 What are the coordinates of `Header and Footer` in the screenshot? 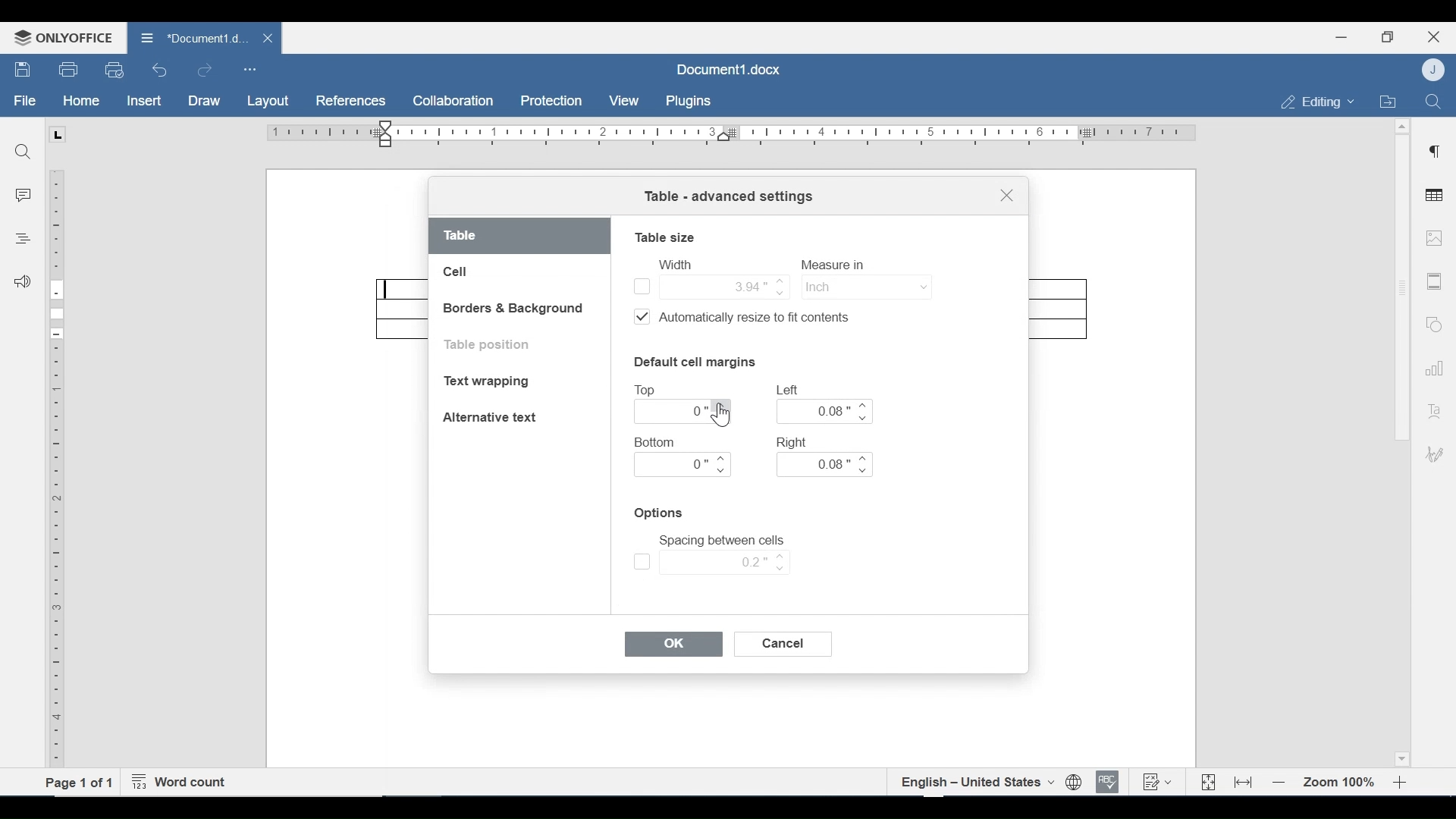 It's located at (1435, 282).